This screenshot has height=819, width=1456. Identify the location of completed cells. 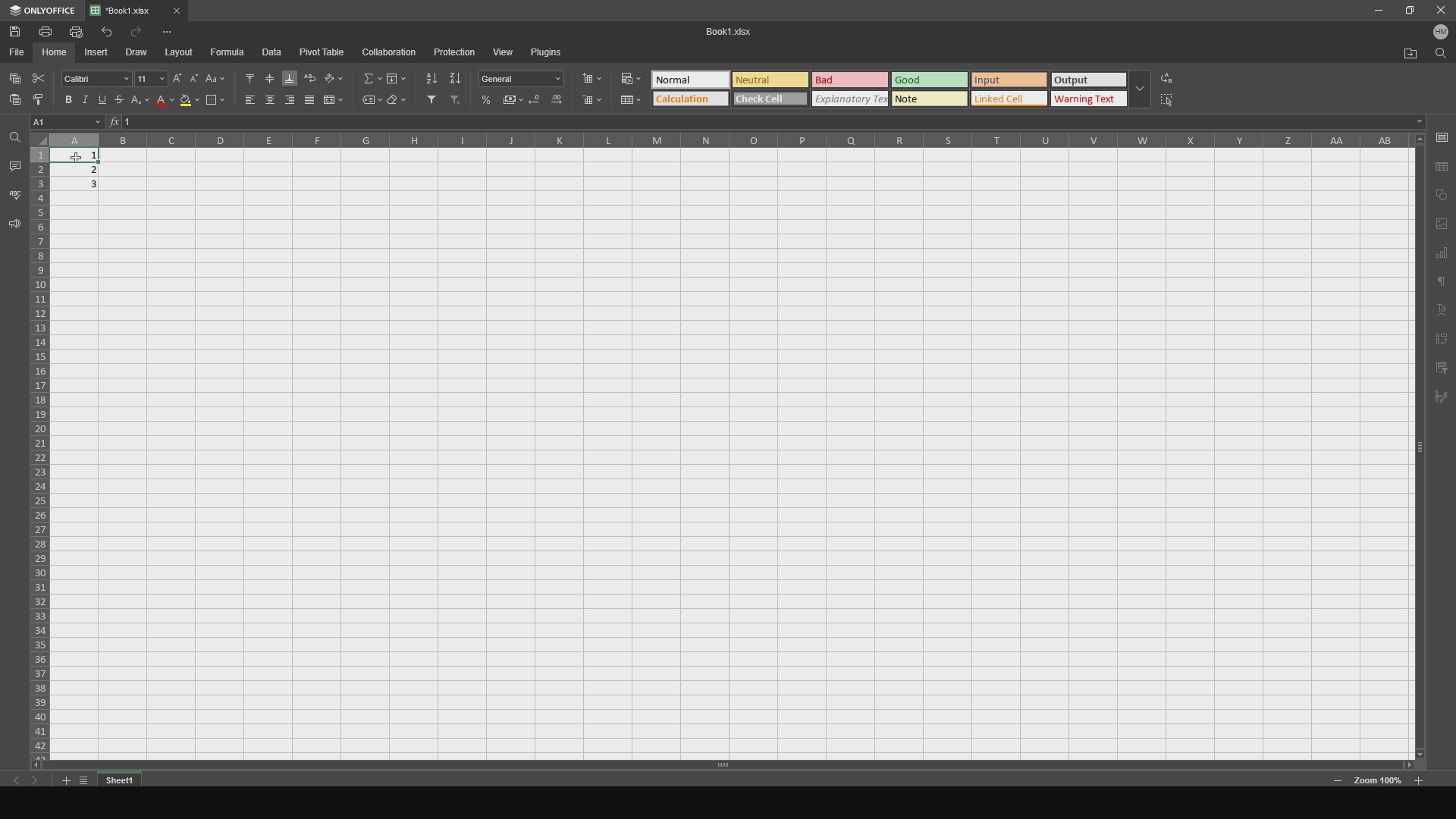
(81, 169).